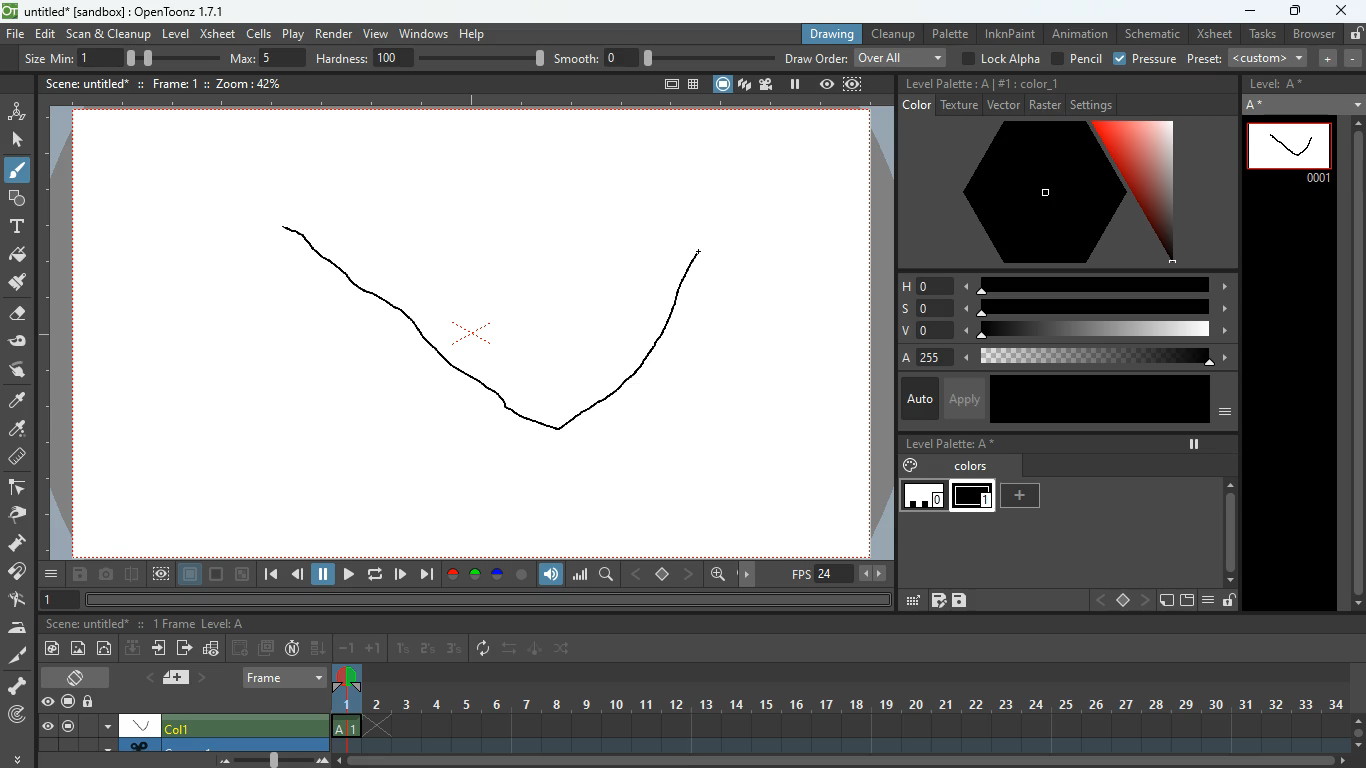 Image resolution: width=1366 pixels, height=768 pixels. I want to click on swipe, so click(15, 369).